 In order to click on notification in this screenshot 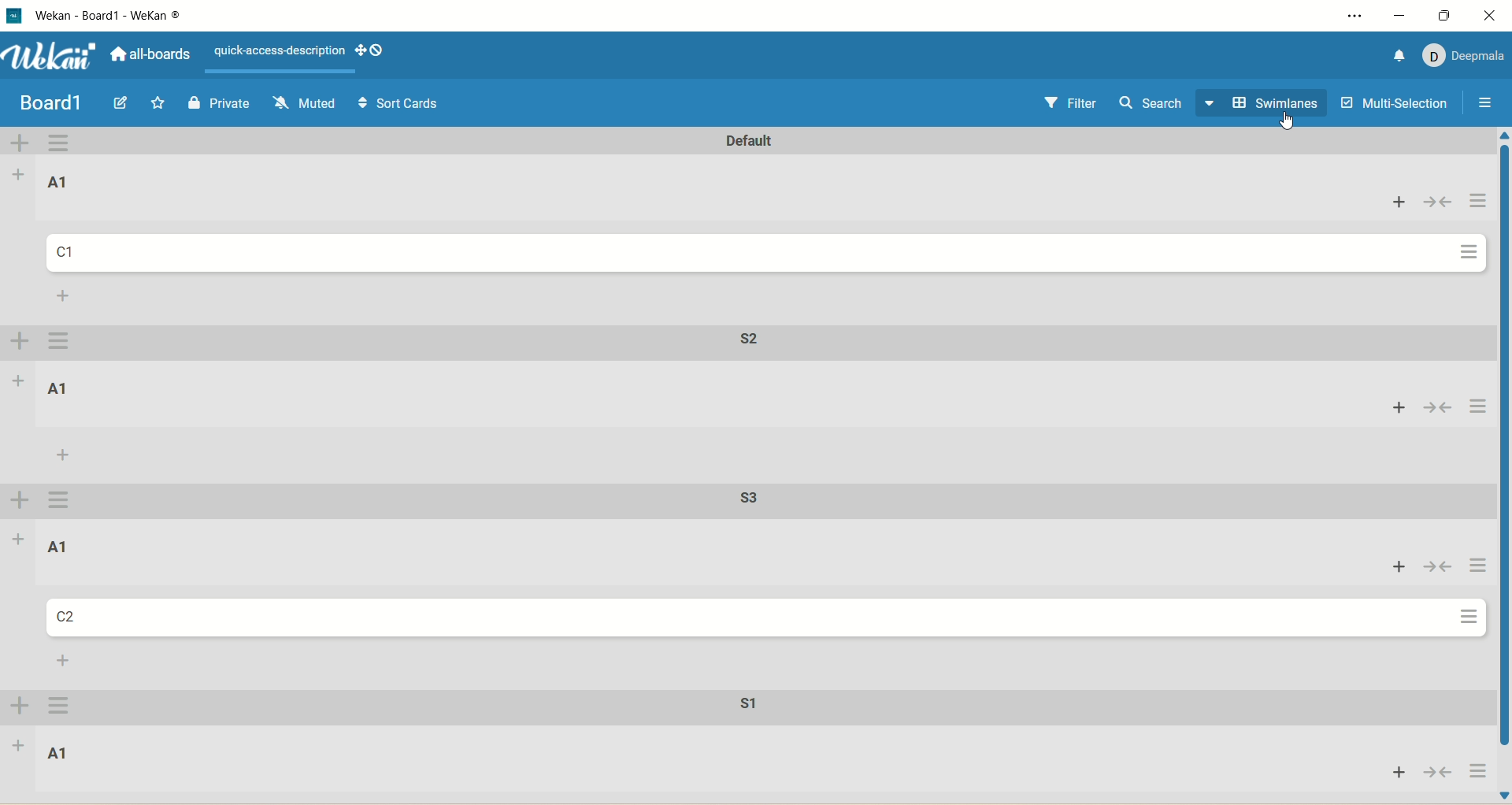, I will do `click(1395, 54)`.